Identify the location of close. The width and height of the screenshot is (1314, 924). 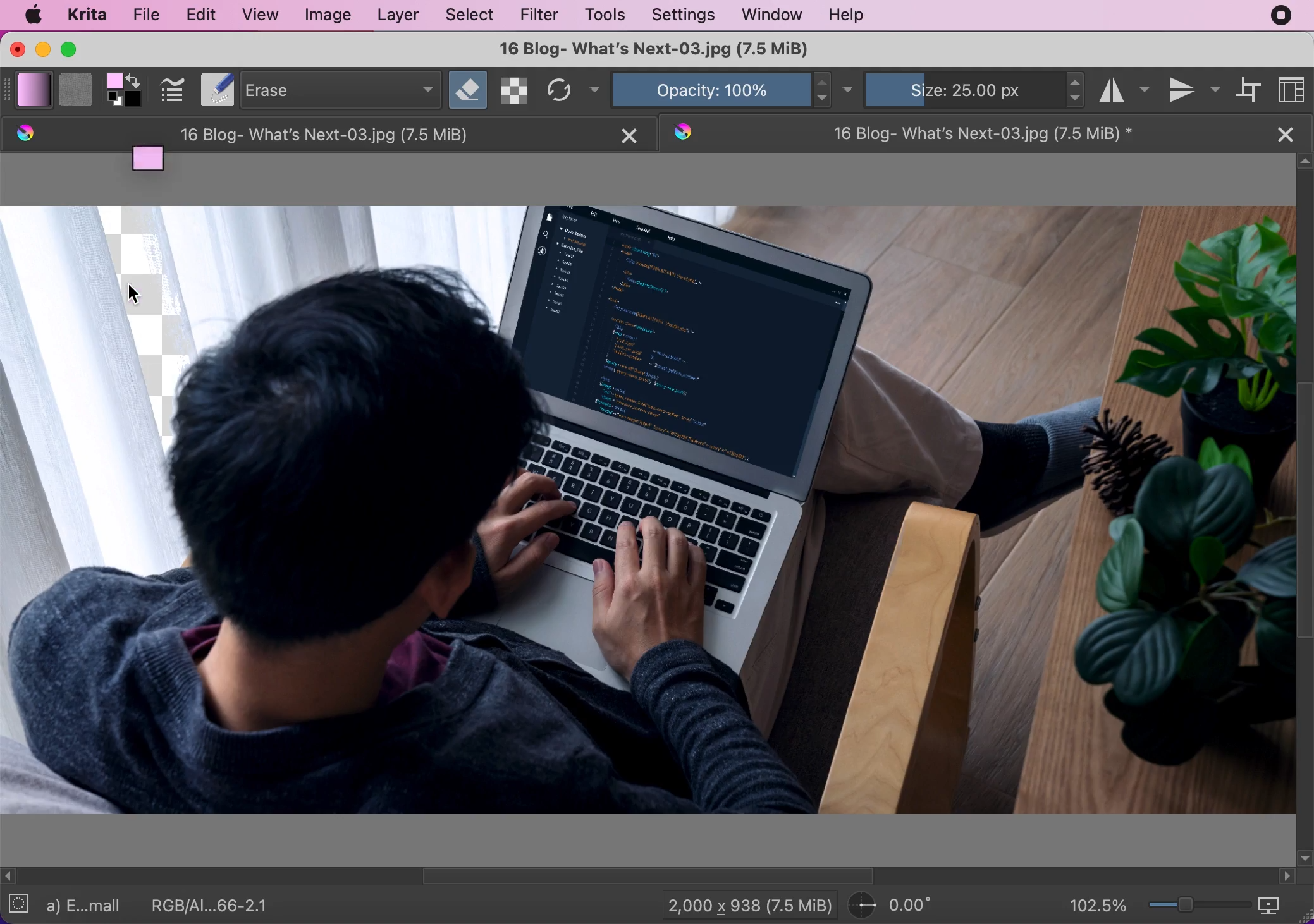
(16, 49).